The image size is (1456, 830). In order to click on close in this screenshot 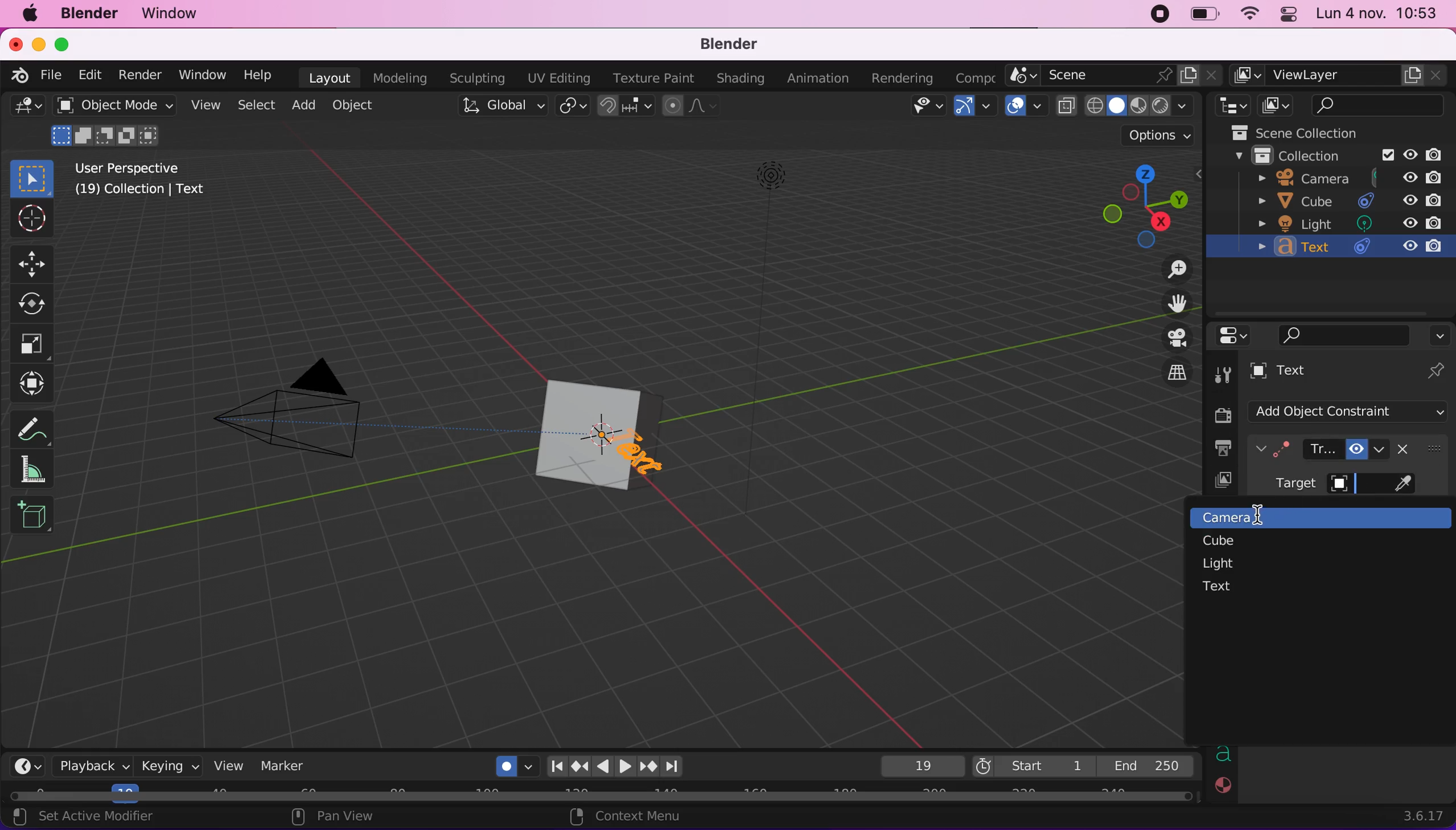, I will do `click(17, 44)`.